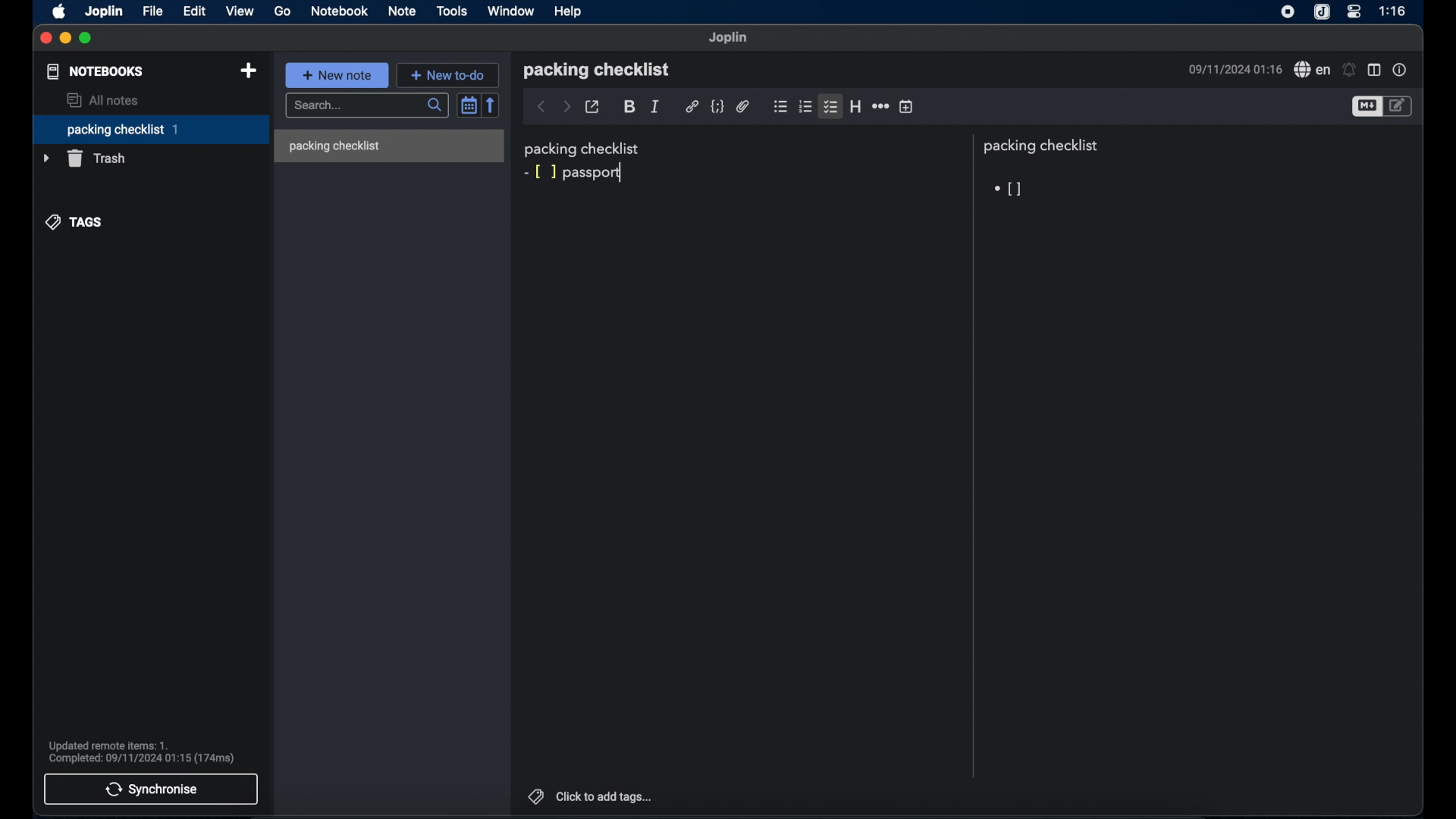  What do you see at coordinates (907, 107) in the screenshot?
I see `insert time` at bounding box center [907, 107].